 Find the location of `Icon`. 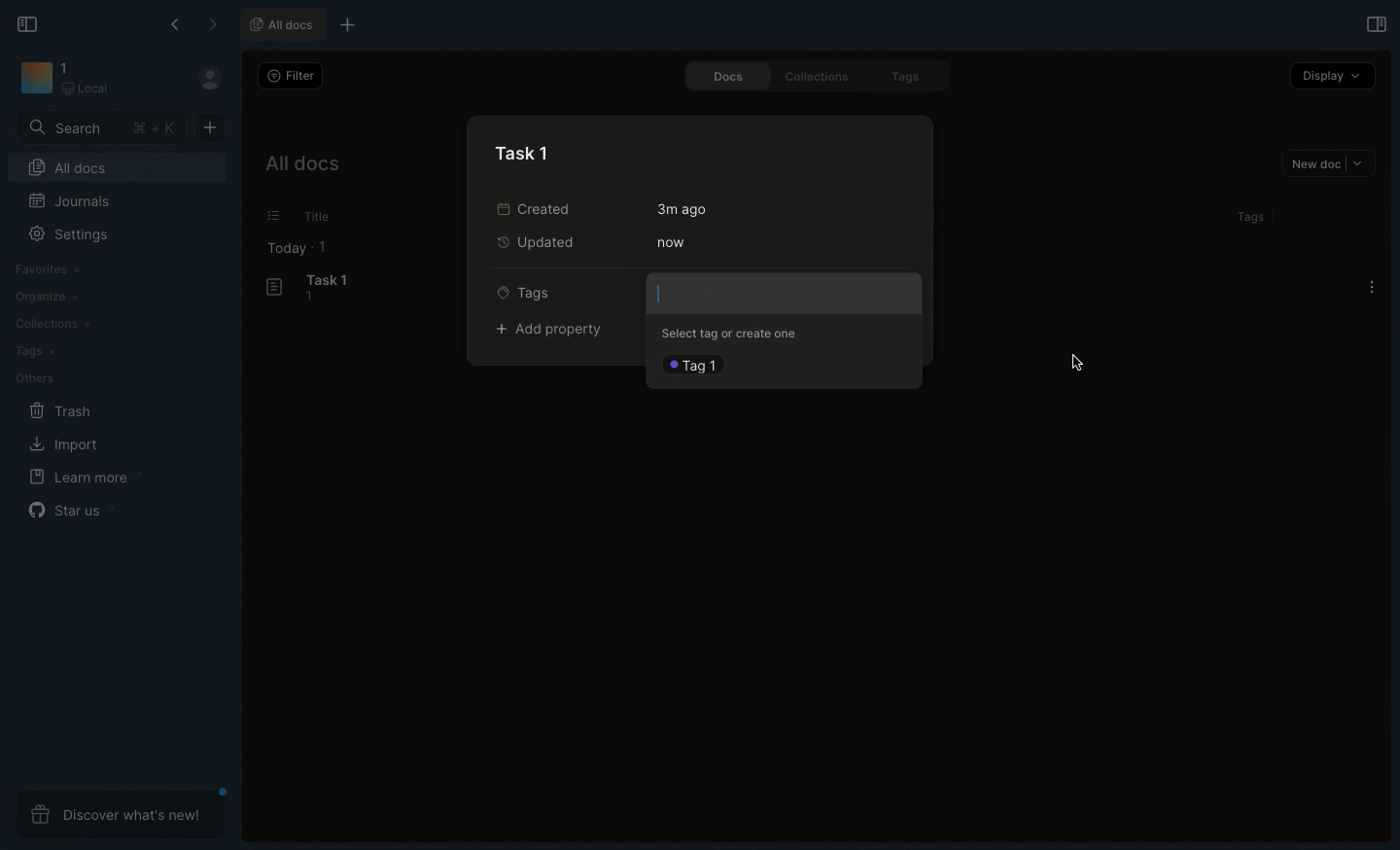

Icon is located at coordinates (33, 77).